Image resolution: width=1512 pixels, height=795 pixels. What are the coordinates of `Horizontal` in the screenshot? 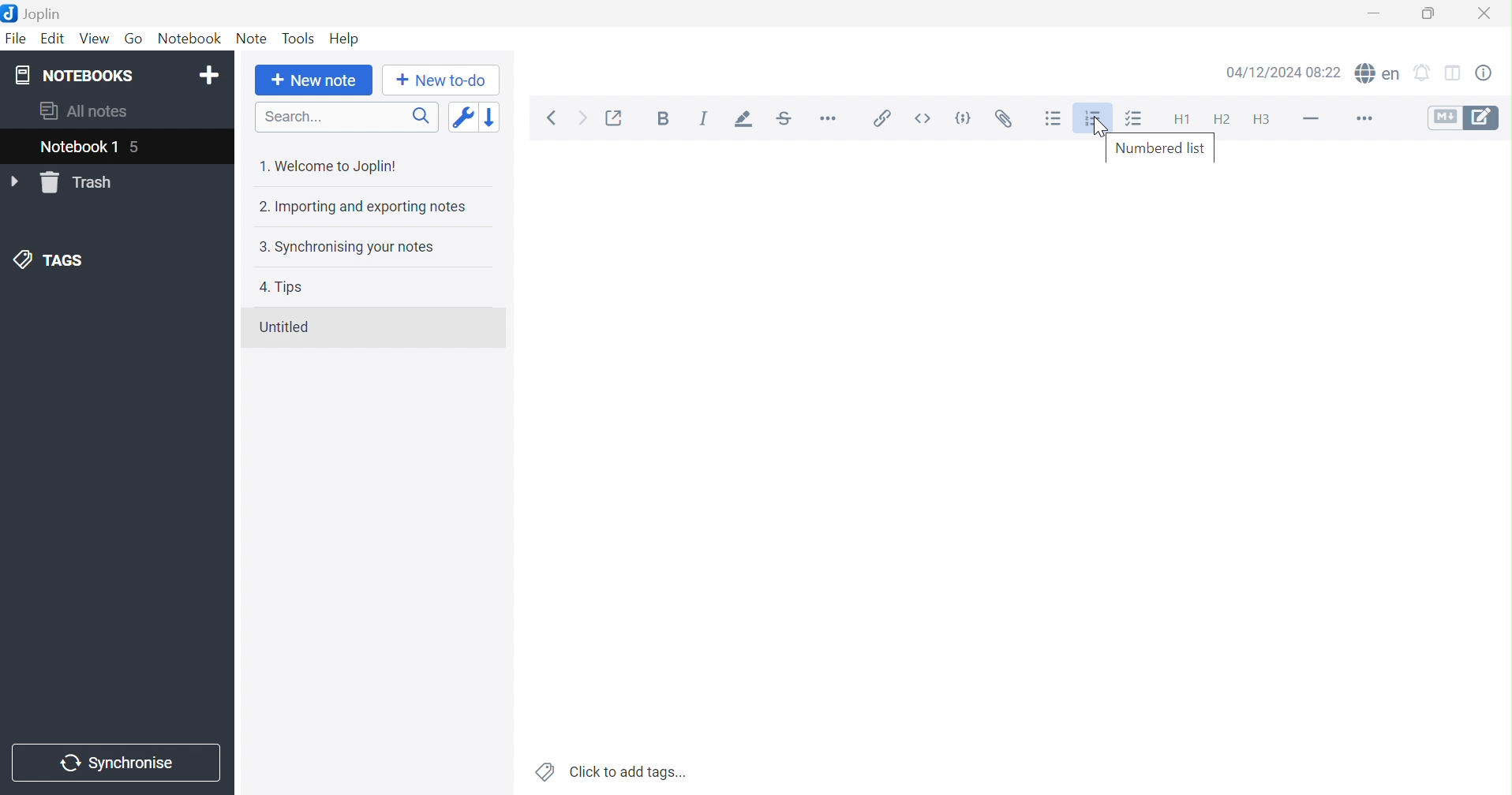 It's located at (829, 121).